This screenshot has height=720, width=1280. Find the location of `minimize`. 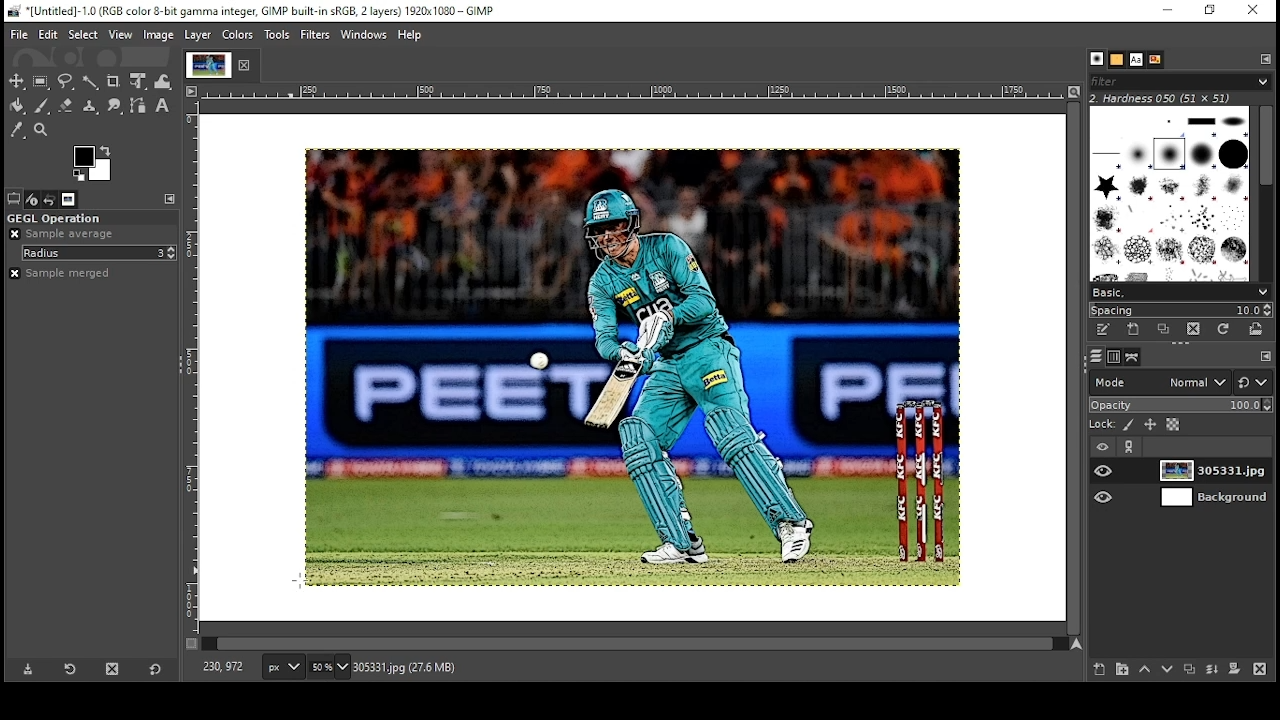

minimize is located at coordinates (1168, 10).